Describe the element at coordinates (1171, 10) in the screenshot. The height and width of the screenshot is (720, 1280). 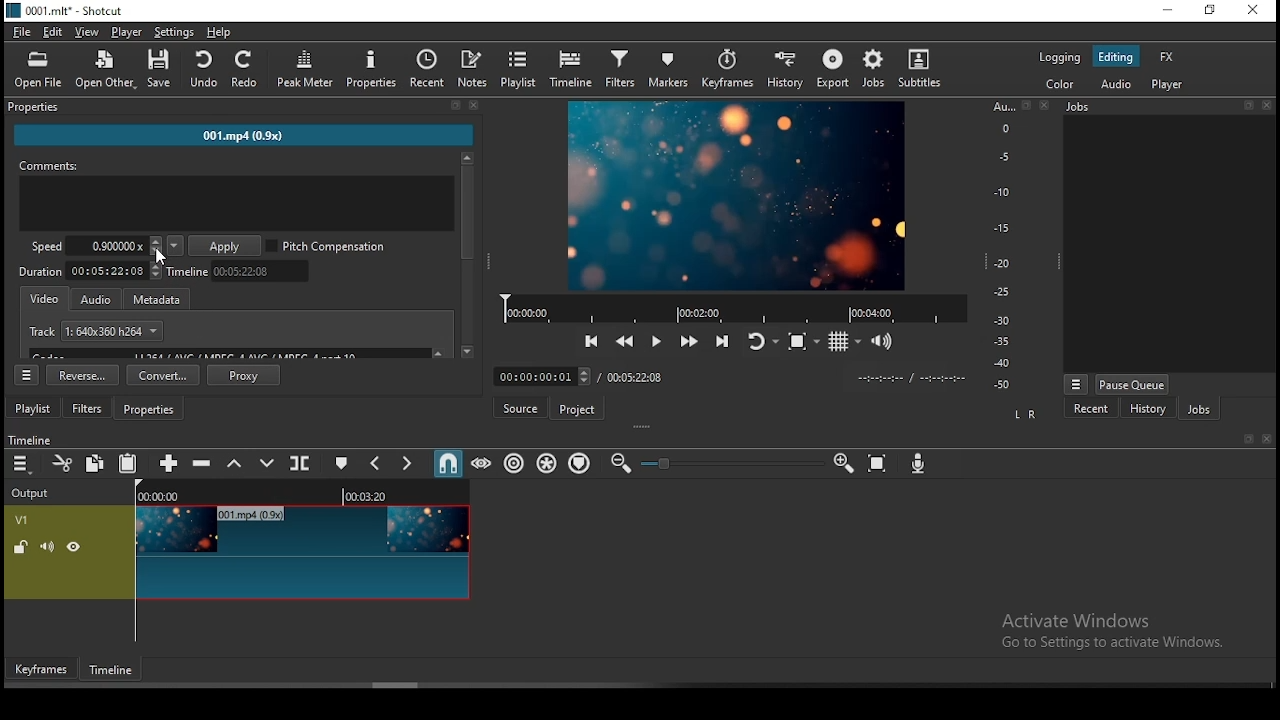
I see `minimize` at that location.